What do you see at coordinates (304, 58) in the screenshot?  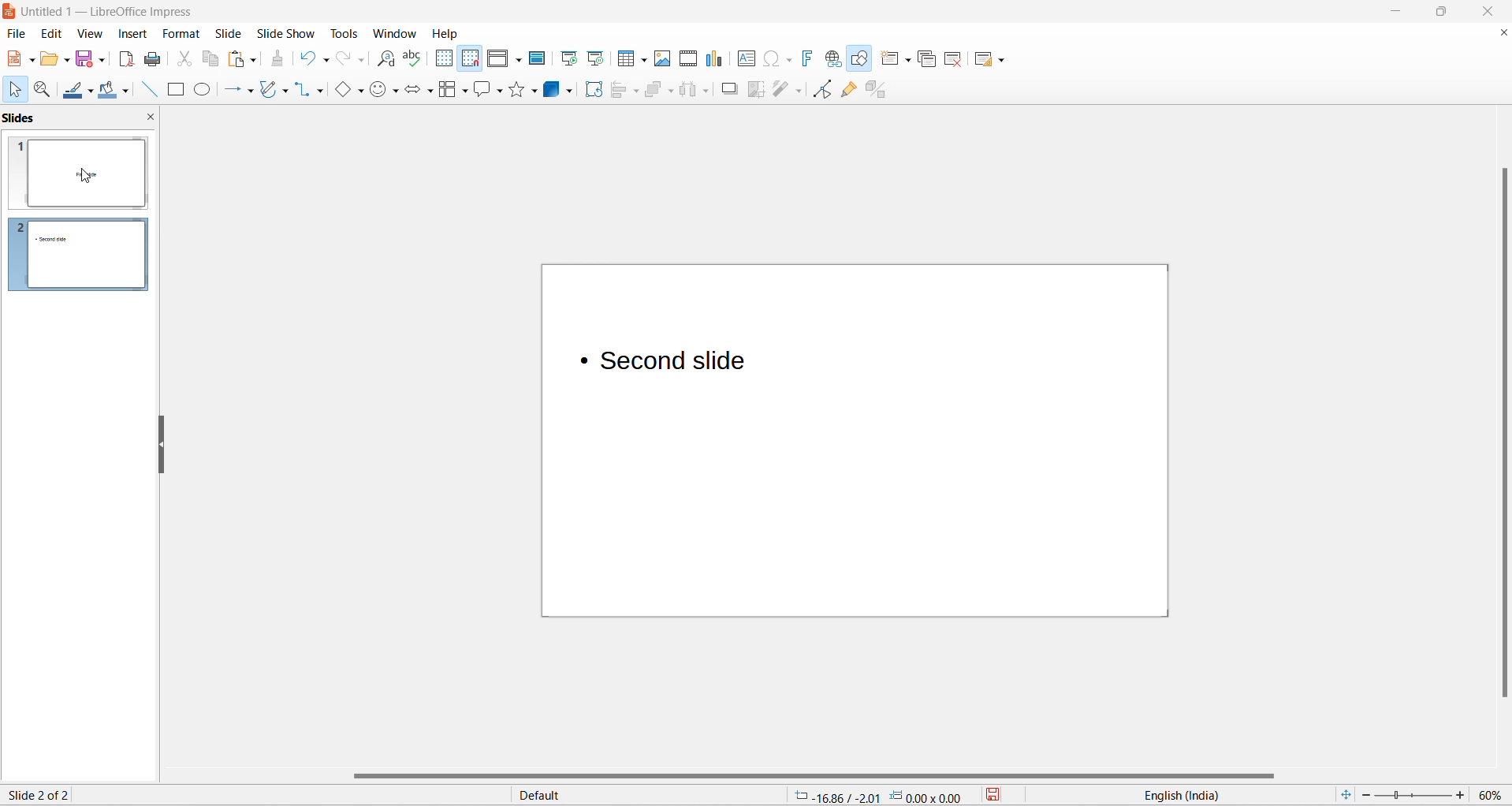 I see `undo` at bounding box center [304, 58].